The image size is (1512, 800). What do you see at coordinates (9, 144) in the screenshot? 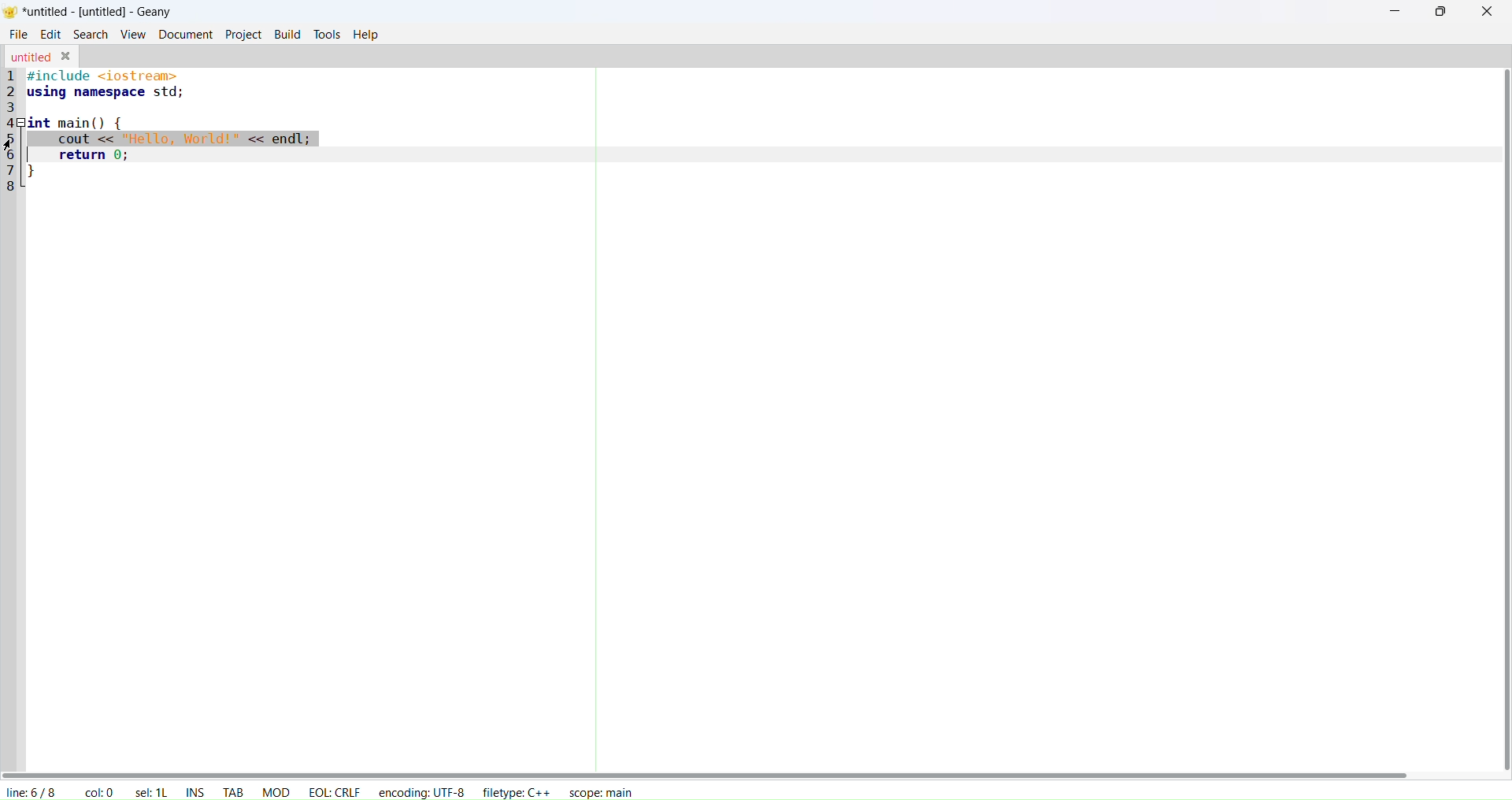
I see `cursor` at bounding box center [9, 144].